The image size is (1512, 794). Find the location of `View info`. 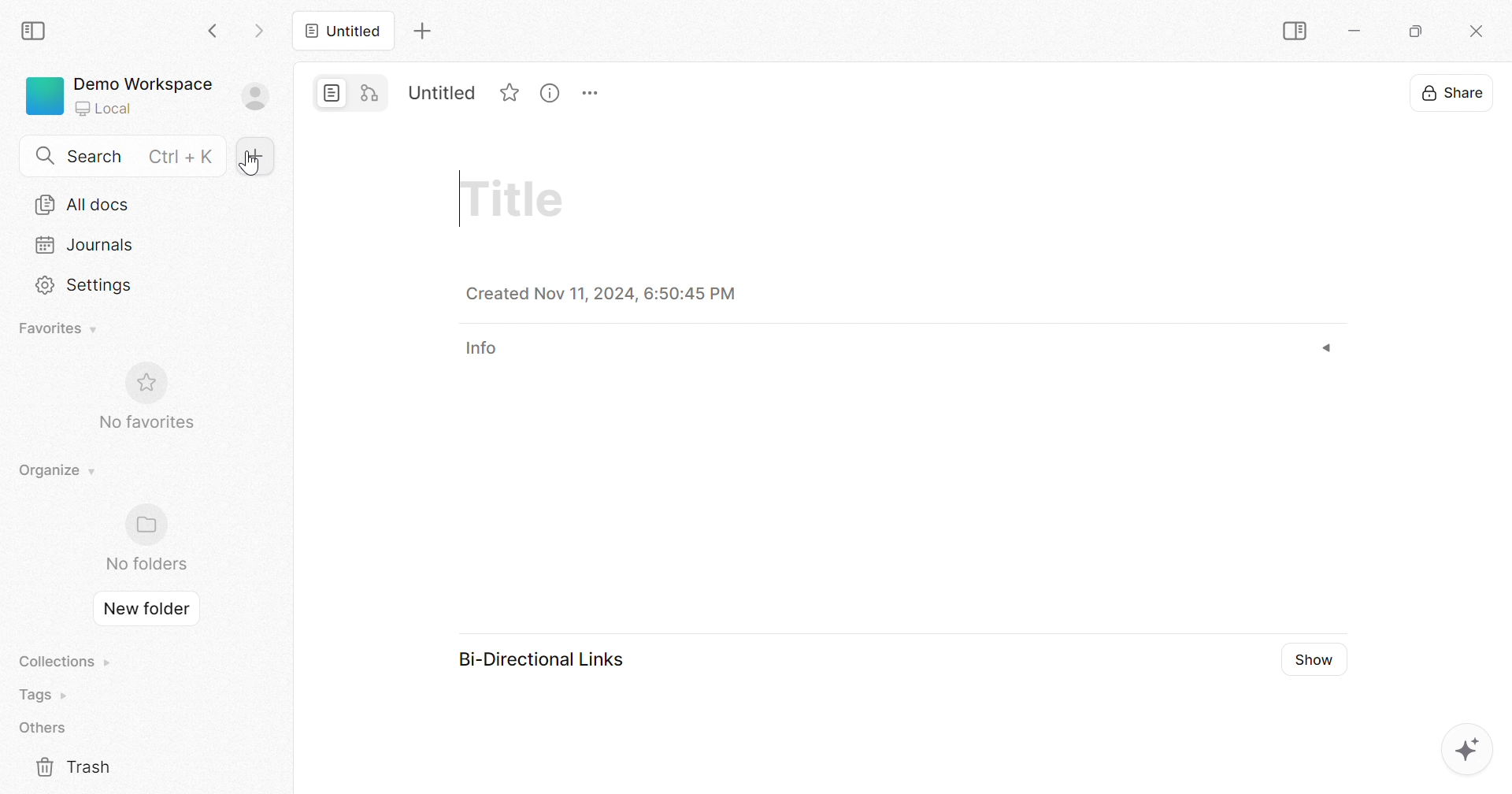

View info is located at coordinates (550, 93).